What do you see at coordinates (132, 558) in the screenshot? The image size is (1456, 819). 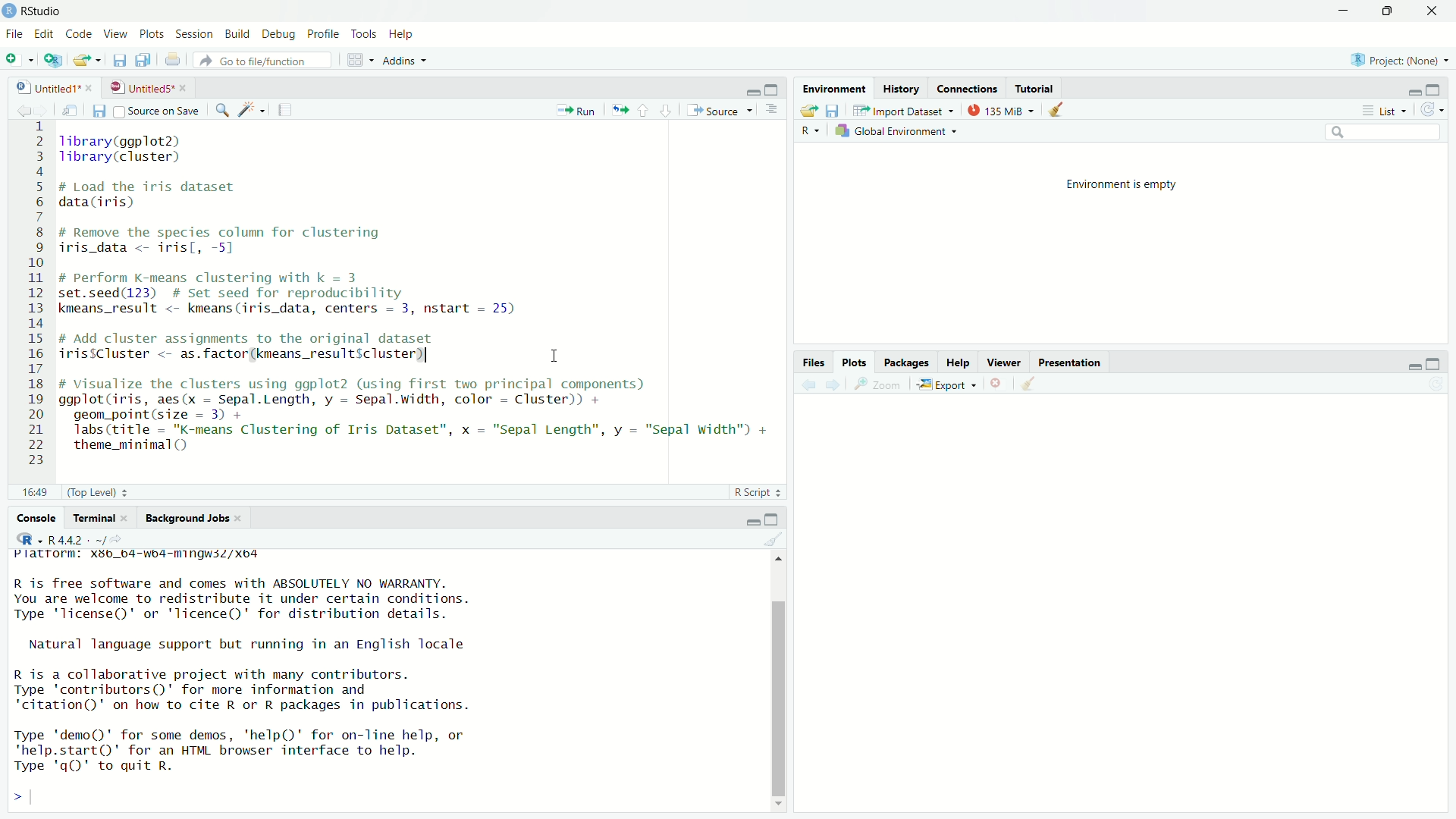 I see `platform` at bounding box center [132, 558].